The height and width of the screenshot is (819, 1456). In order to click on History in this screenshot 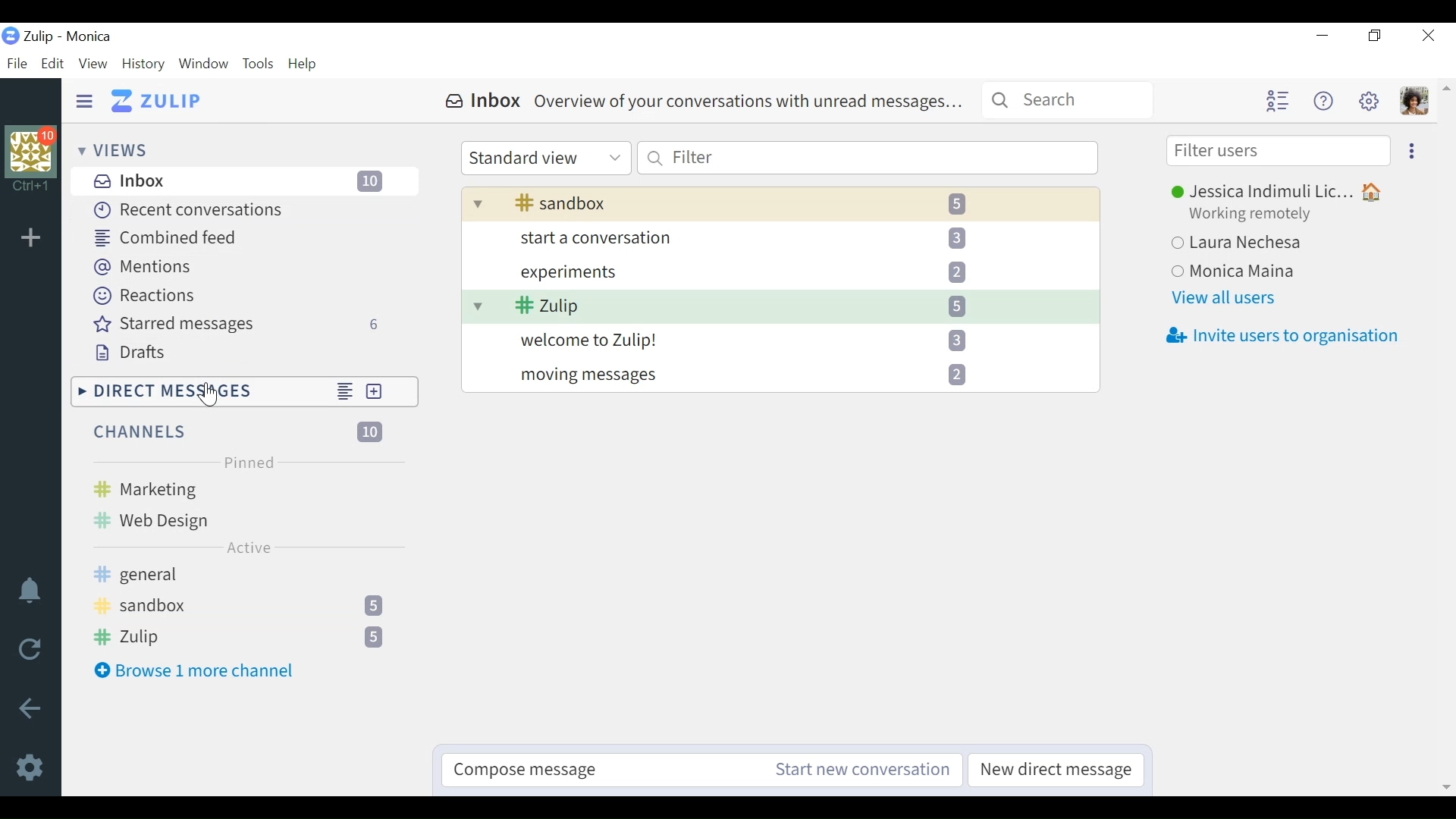, I will do `click(143, 64)`.